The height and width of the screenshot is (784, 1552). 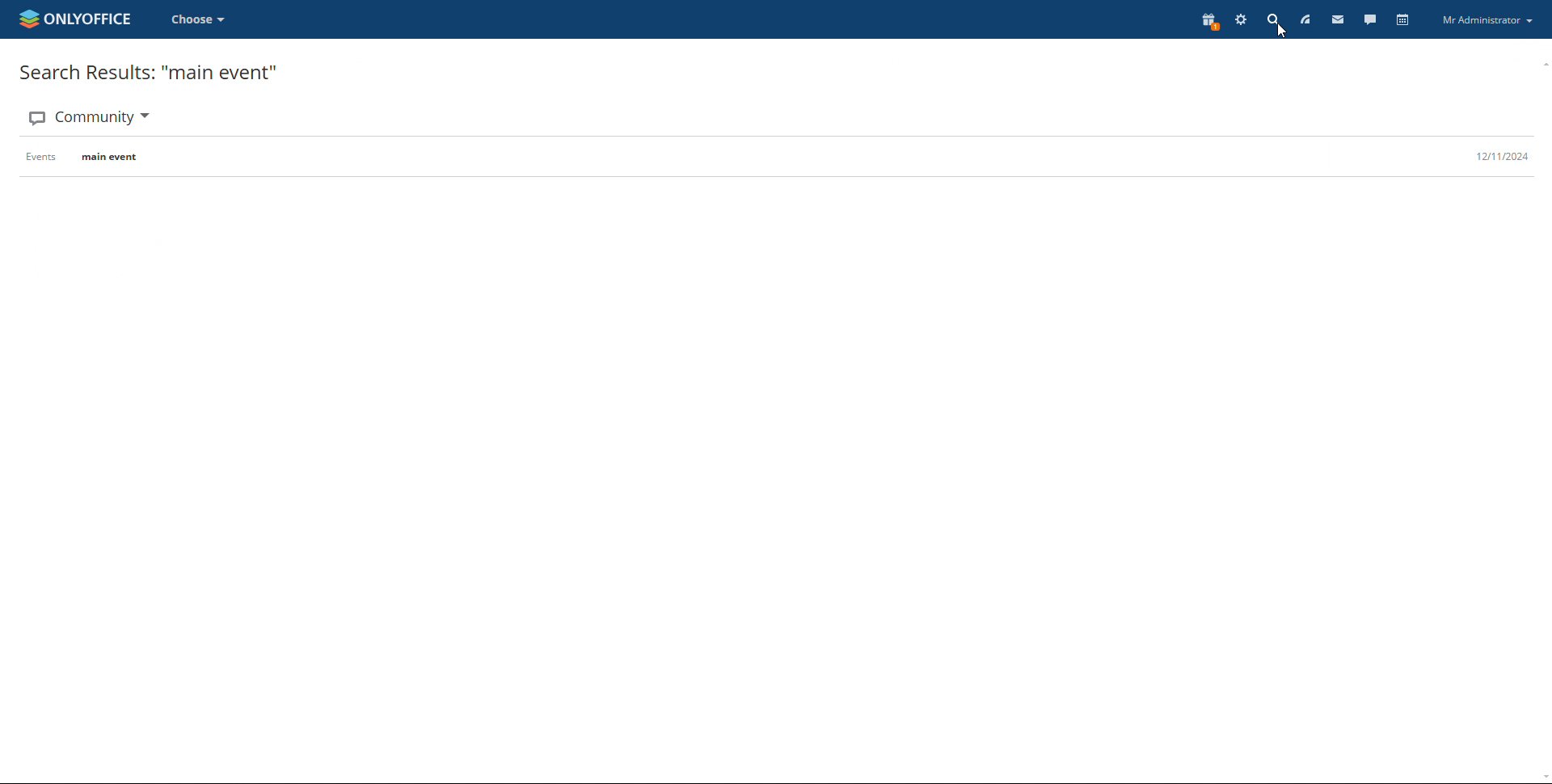 I want to click on present, so click(x=1208, y=21).